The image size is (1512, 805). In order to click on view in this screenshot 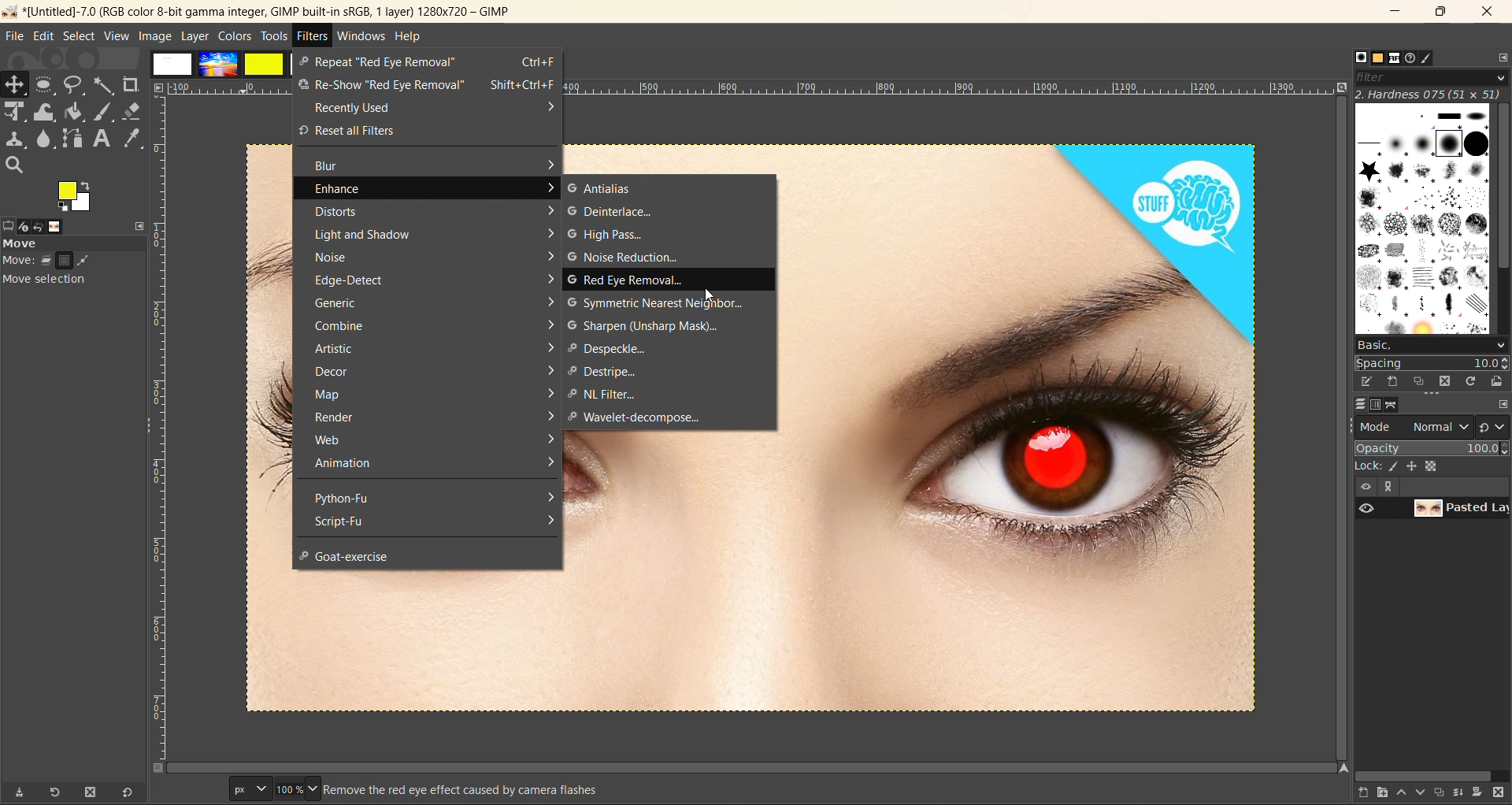, I will do `click(114, 37)`.